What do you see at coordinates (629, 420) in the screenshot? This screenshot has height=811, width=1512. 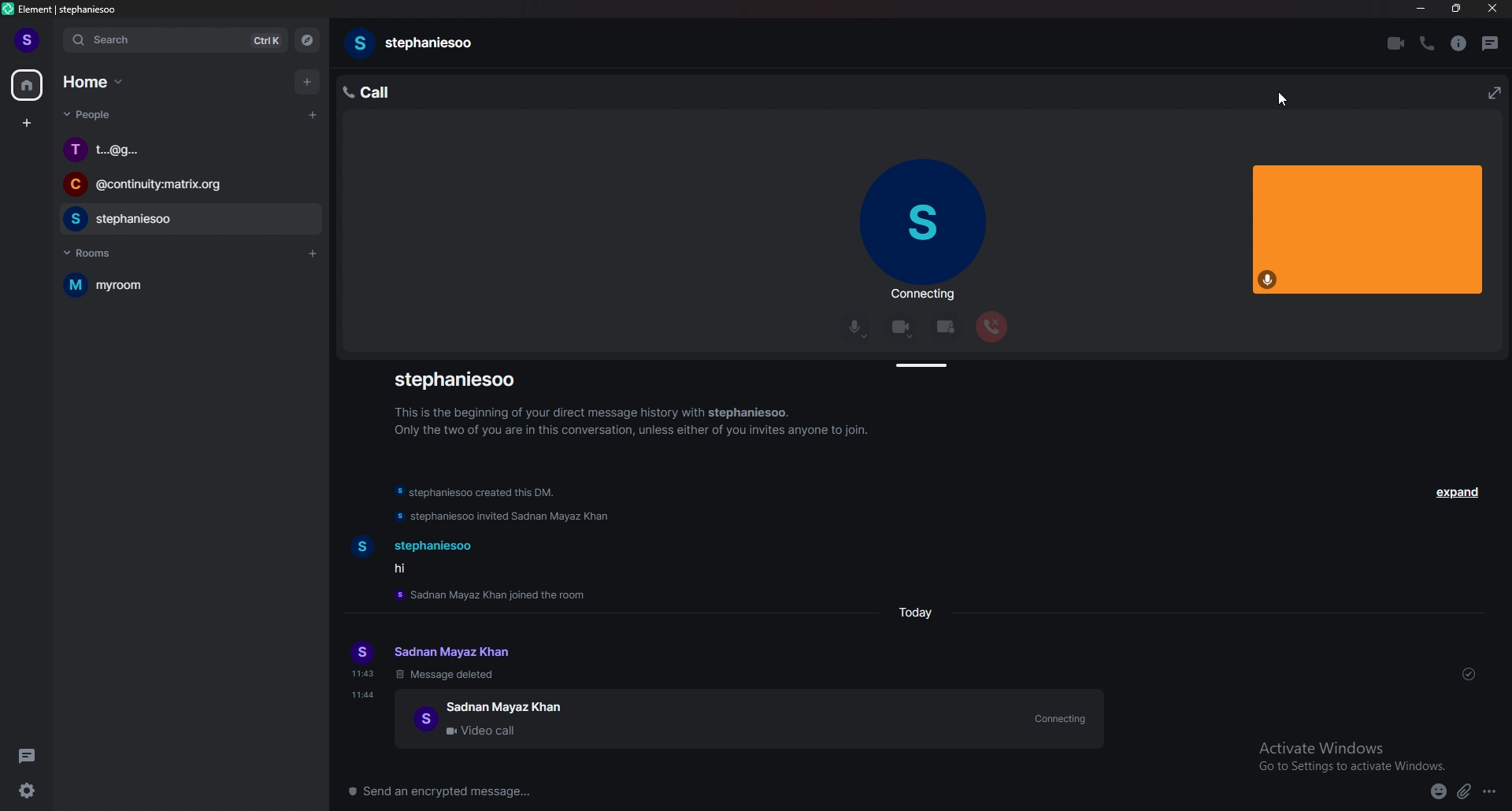 I see `info` at bounding box center [629, 420].